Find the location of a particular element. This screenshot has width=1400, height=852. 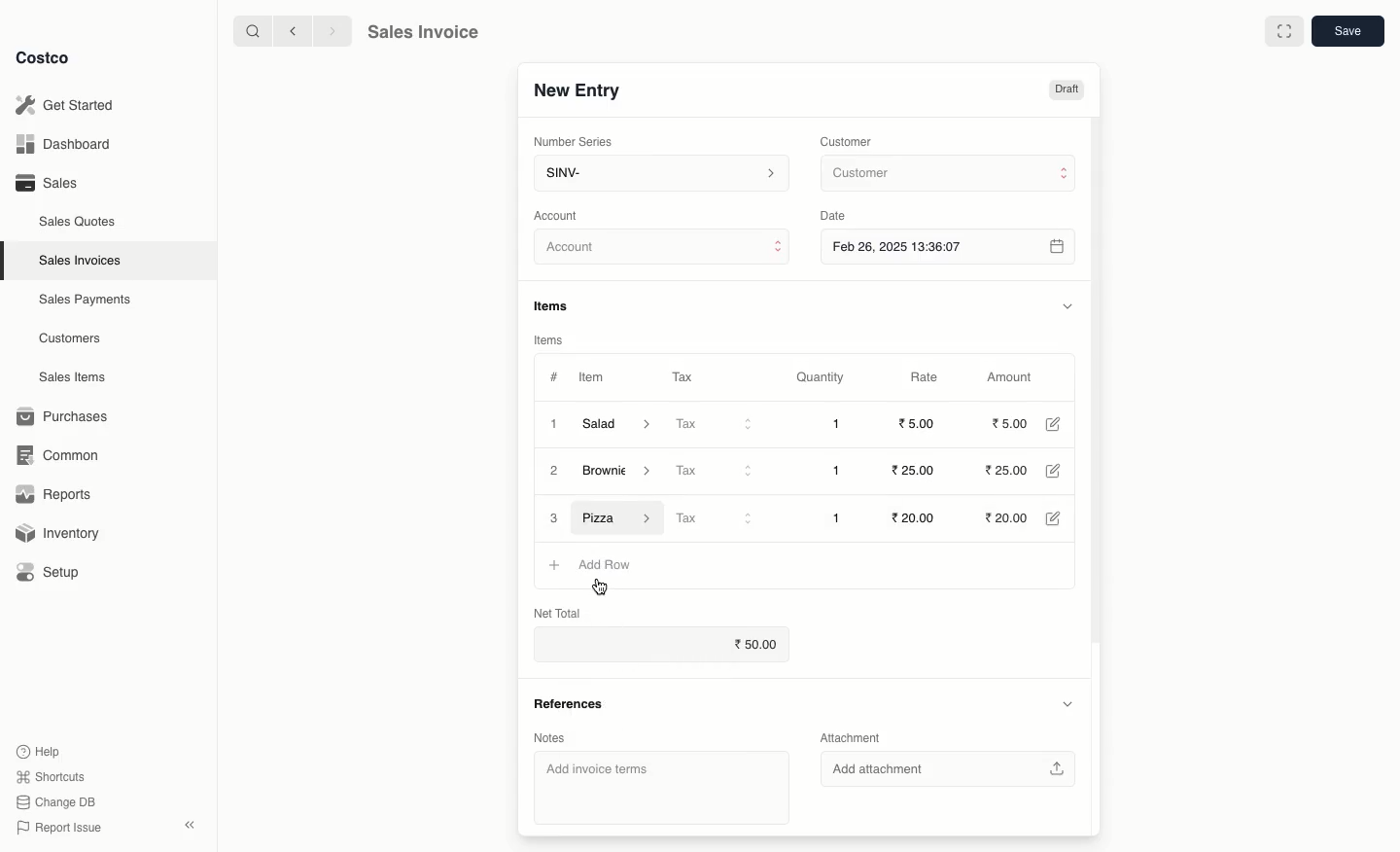

Customer is located at coordinates (946, 174).